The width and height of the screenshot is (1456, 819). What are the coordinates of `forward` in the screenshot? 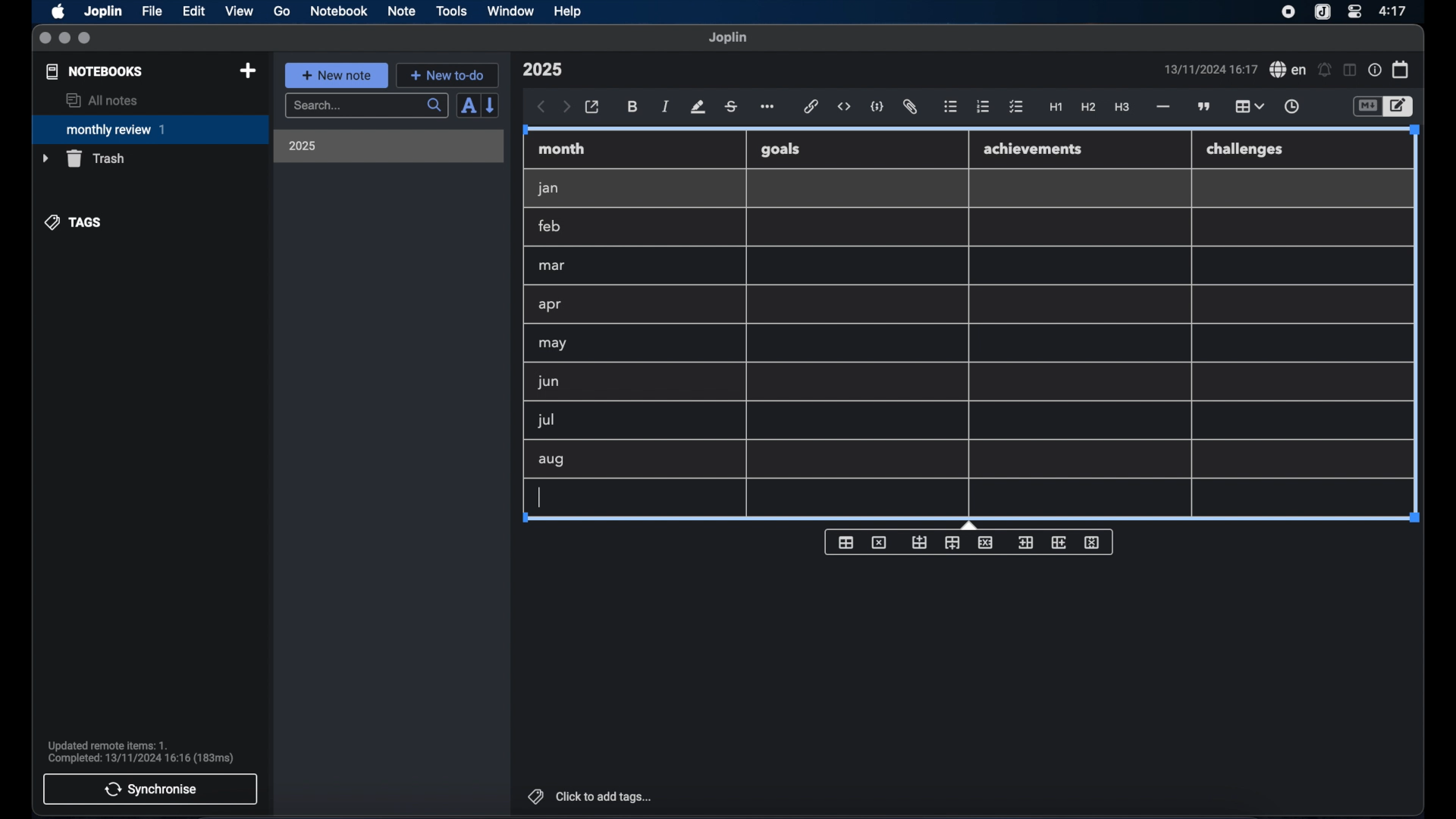 It's located at (566, 108).